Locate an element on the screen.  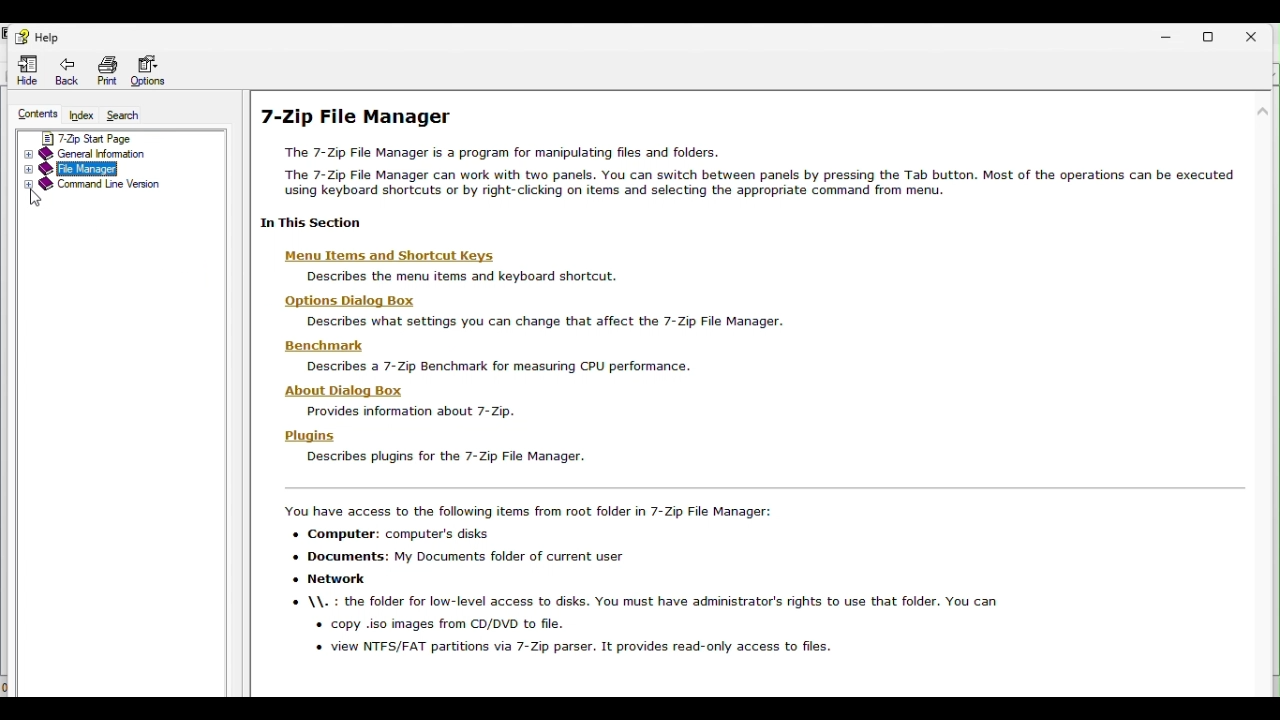
Command line version is located at coordinates (106, 185).